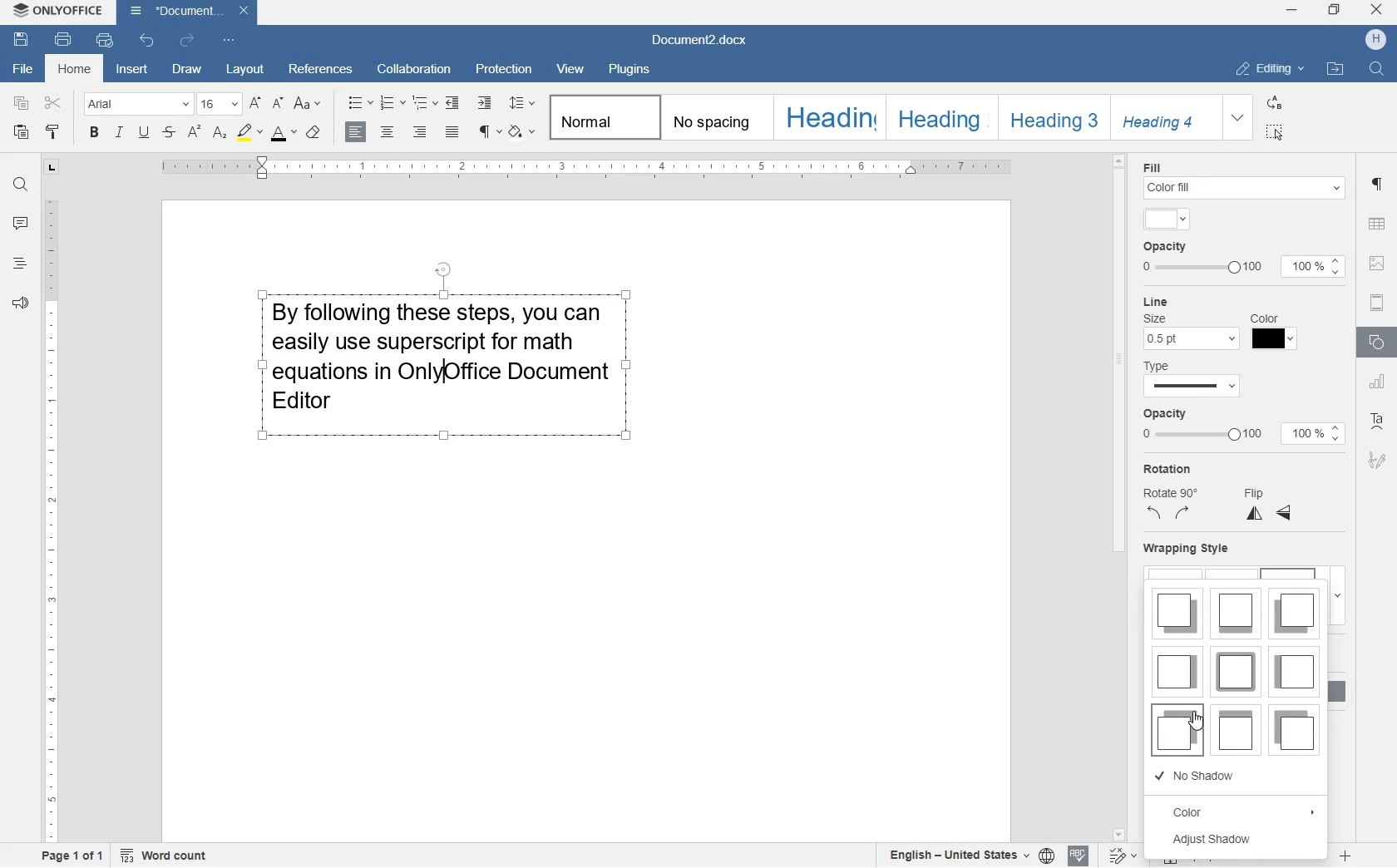 The image size is (1397, 868). What do you see at coordinates (275, 105) in the screenshot?
I see `decrement font size` at bounding box center [275, 105].